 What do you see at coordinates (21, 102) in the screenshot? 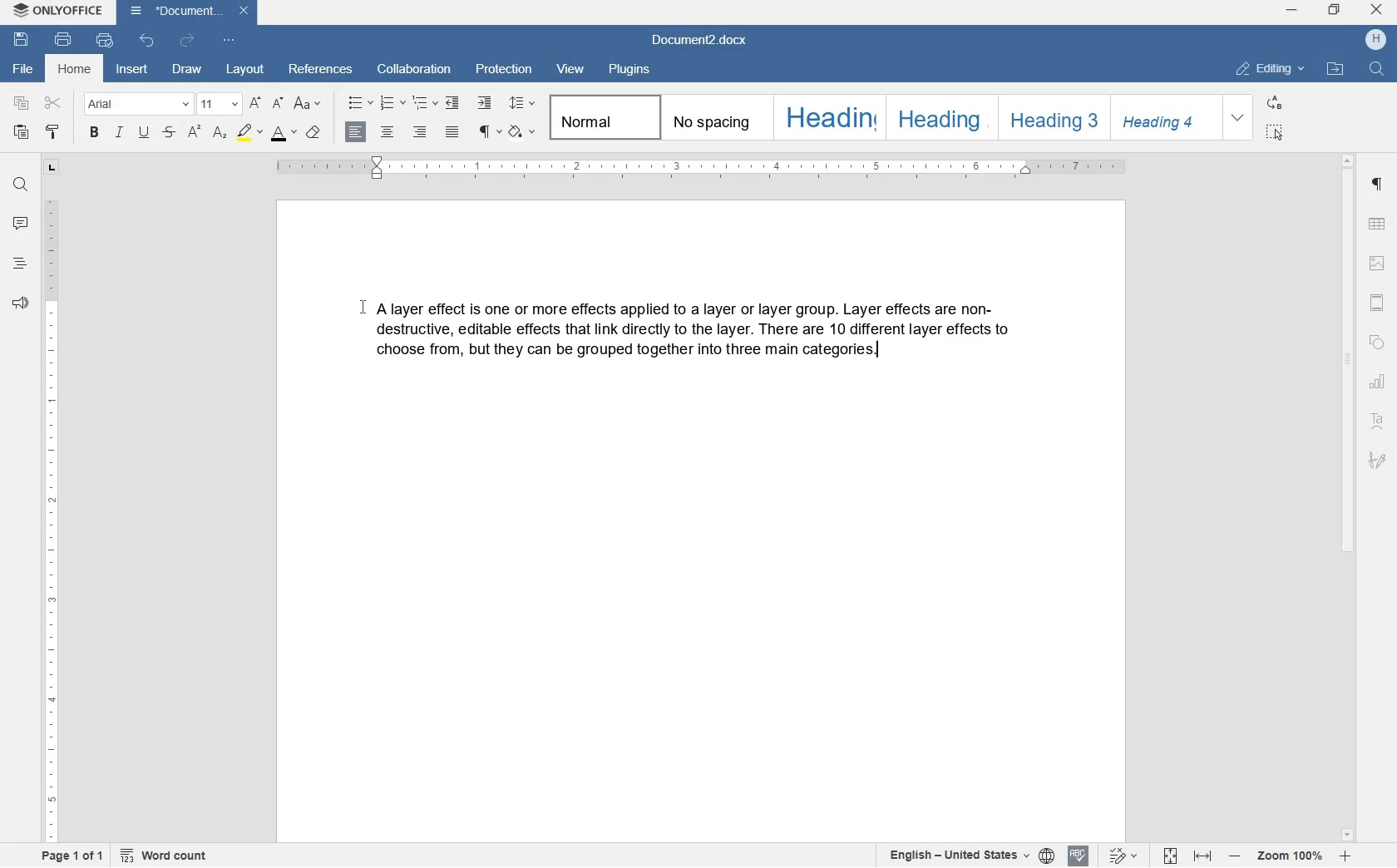
I see `copy` at bounding box center [21, 102].